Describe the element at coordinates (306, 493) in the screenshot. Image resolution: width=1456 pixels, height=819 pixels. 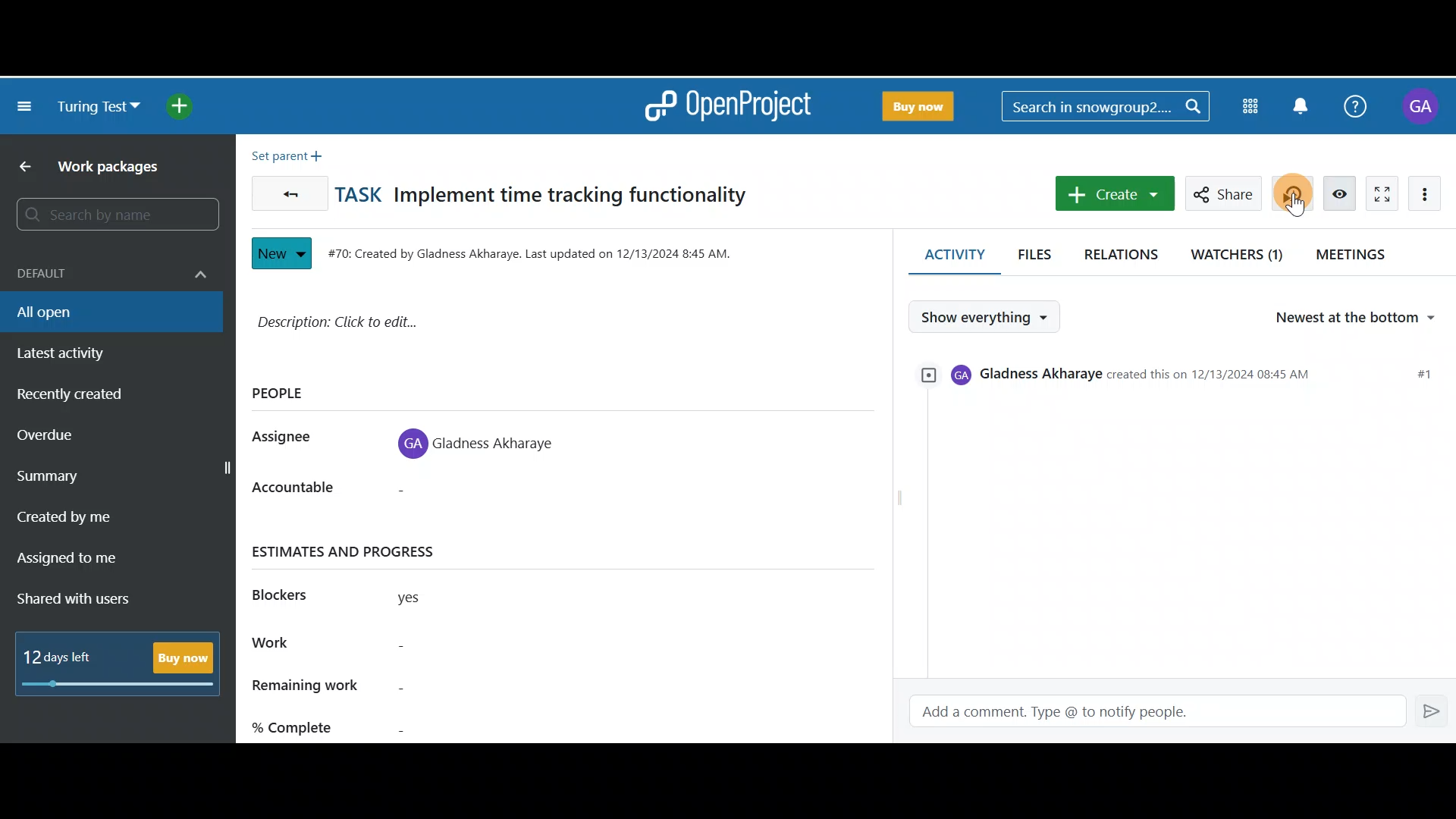
I see `Accountable` at that location.